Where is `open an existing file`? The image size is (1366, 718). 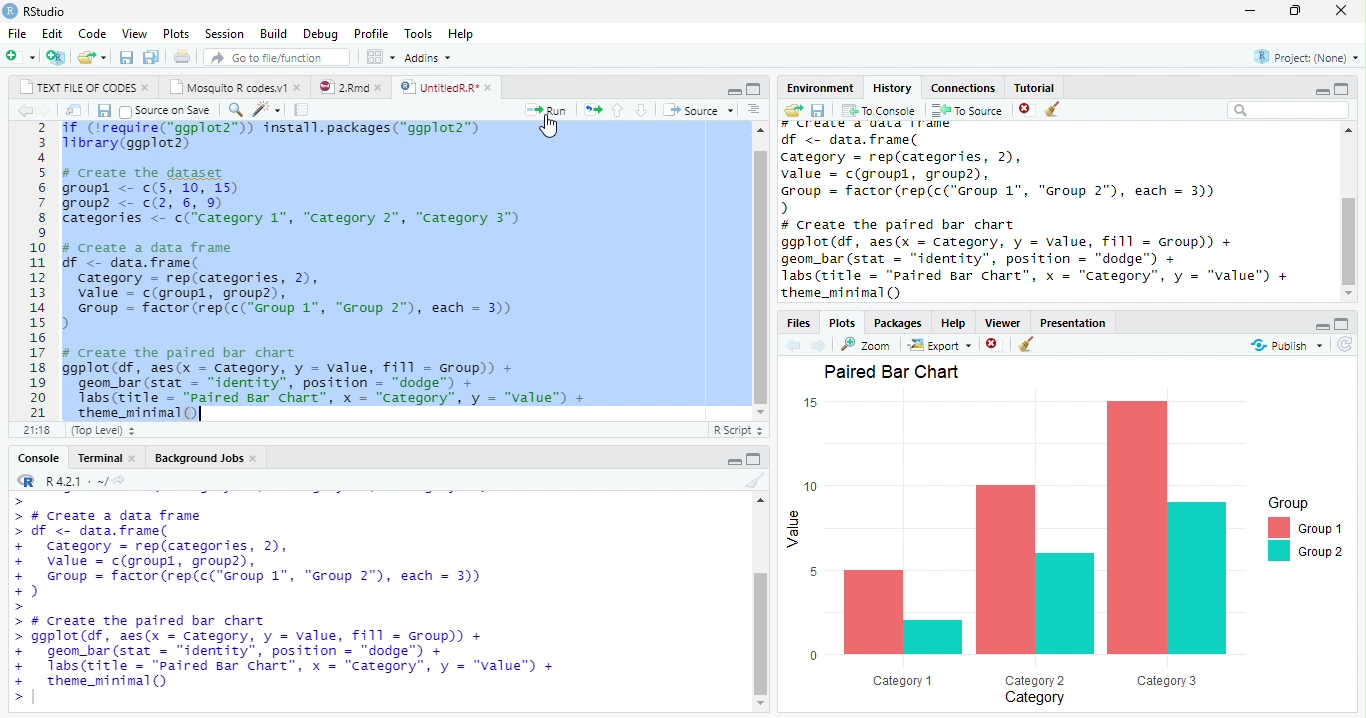 open an existing file is located at coordinates (91, 56).